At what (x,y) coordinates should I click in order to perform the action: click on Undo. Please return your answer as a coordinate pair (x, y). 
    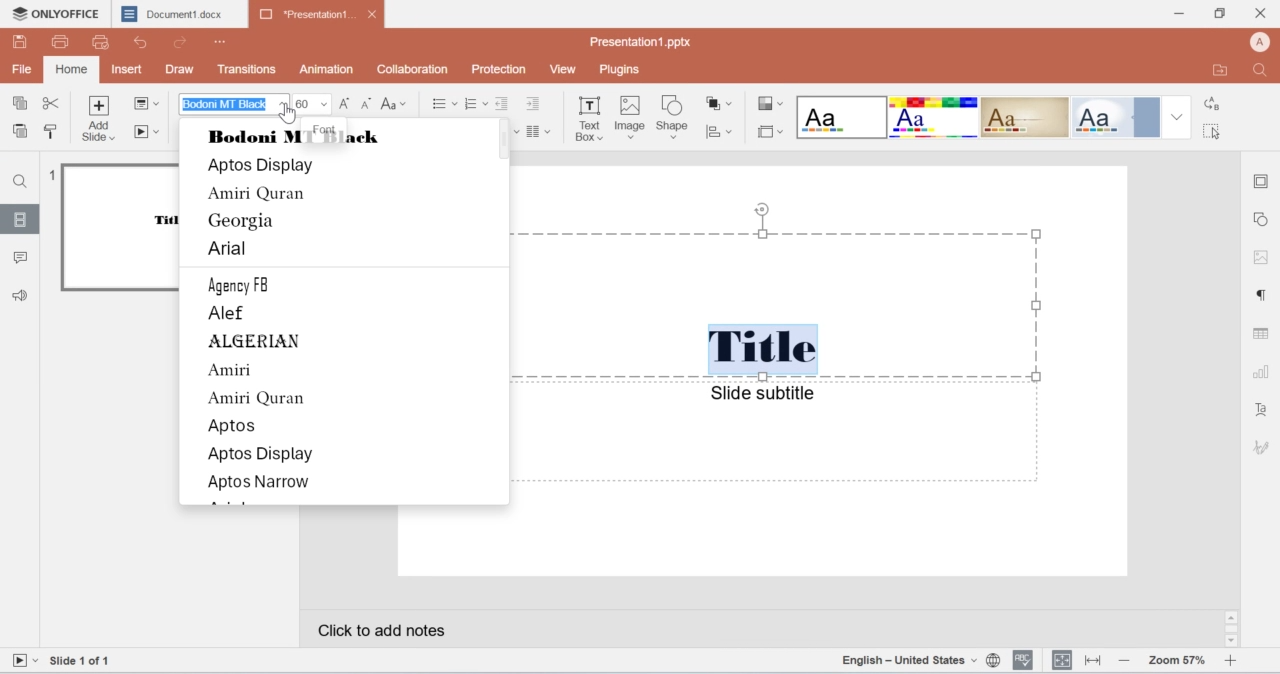
    Looking at the image, I should click on (146, 42).